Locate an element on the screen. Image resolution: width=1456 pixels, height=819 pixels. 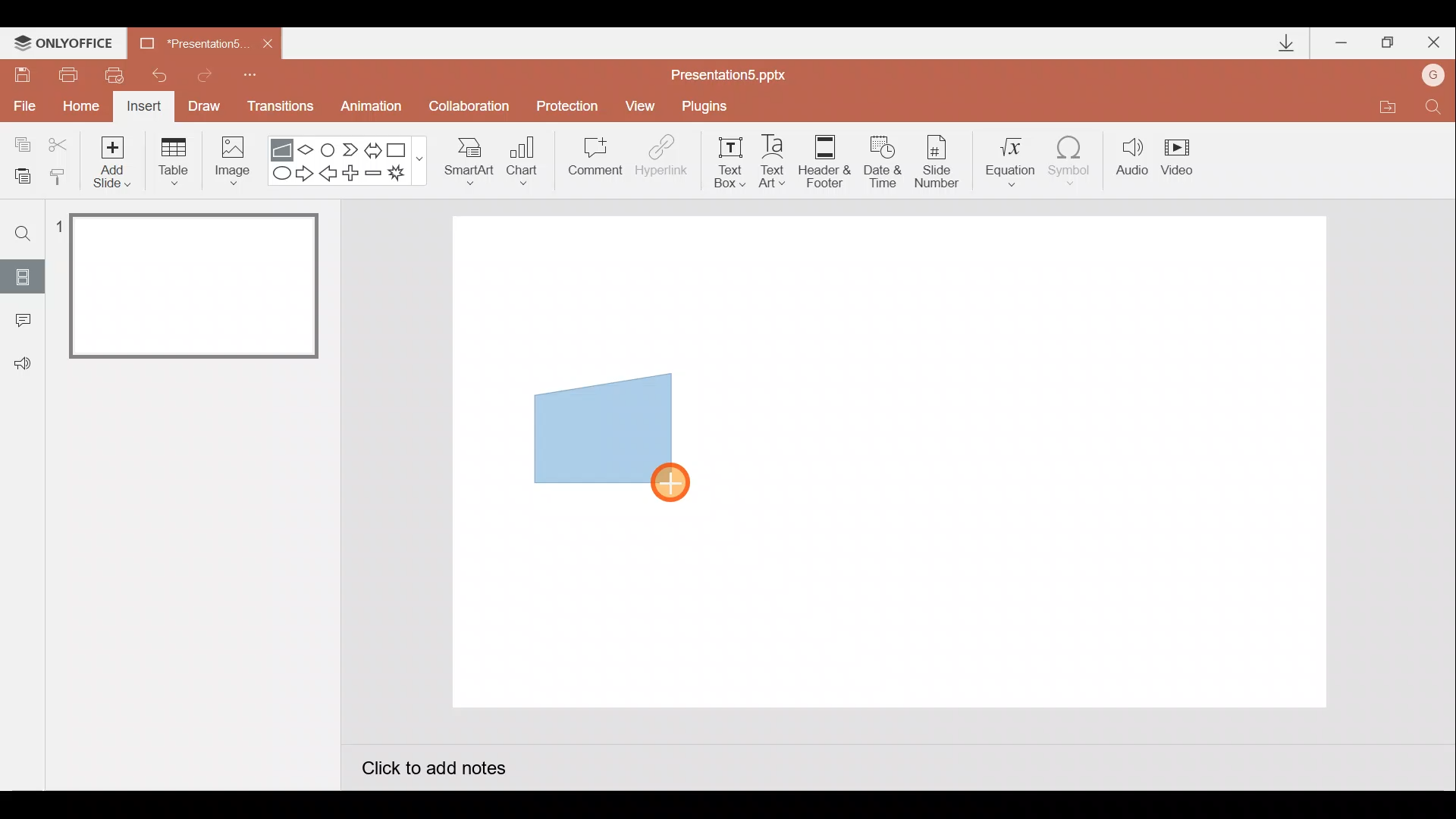
Date & time is located at coordinates (881, 158).